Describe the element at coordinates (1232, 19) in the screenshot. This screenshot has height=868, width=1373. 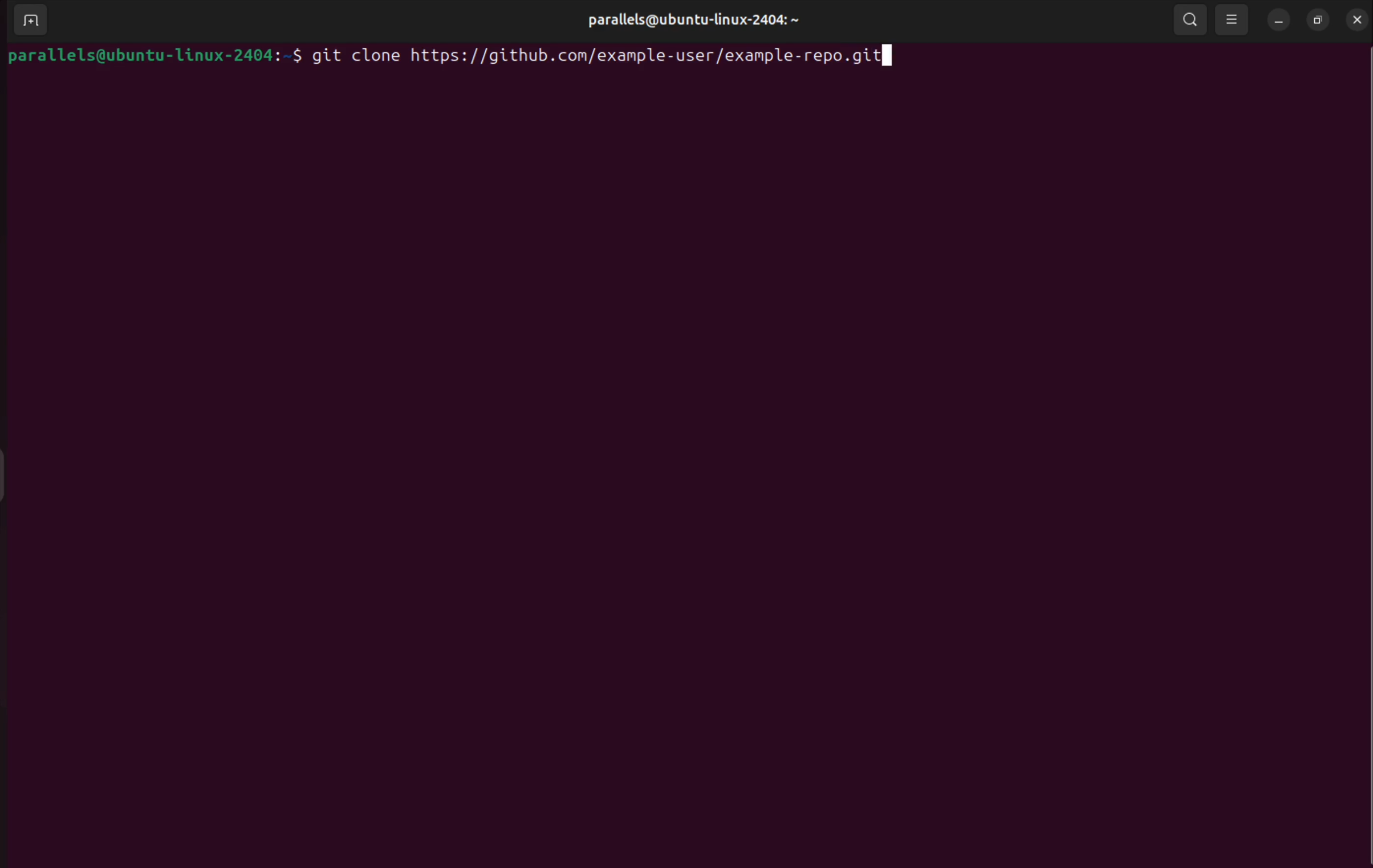
I see `view point` at that location.